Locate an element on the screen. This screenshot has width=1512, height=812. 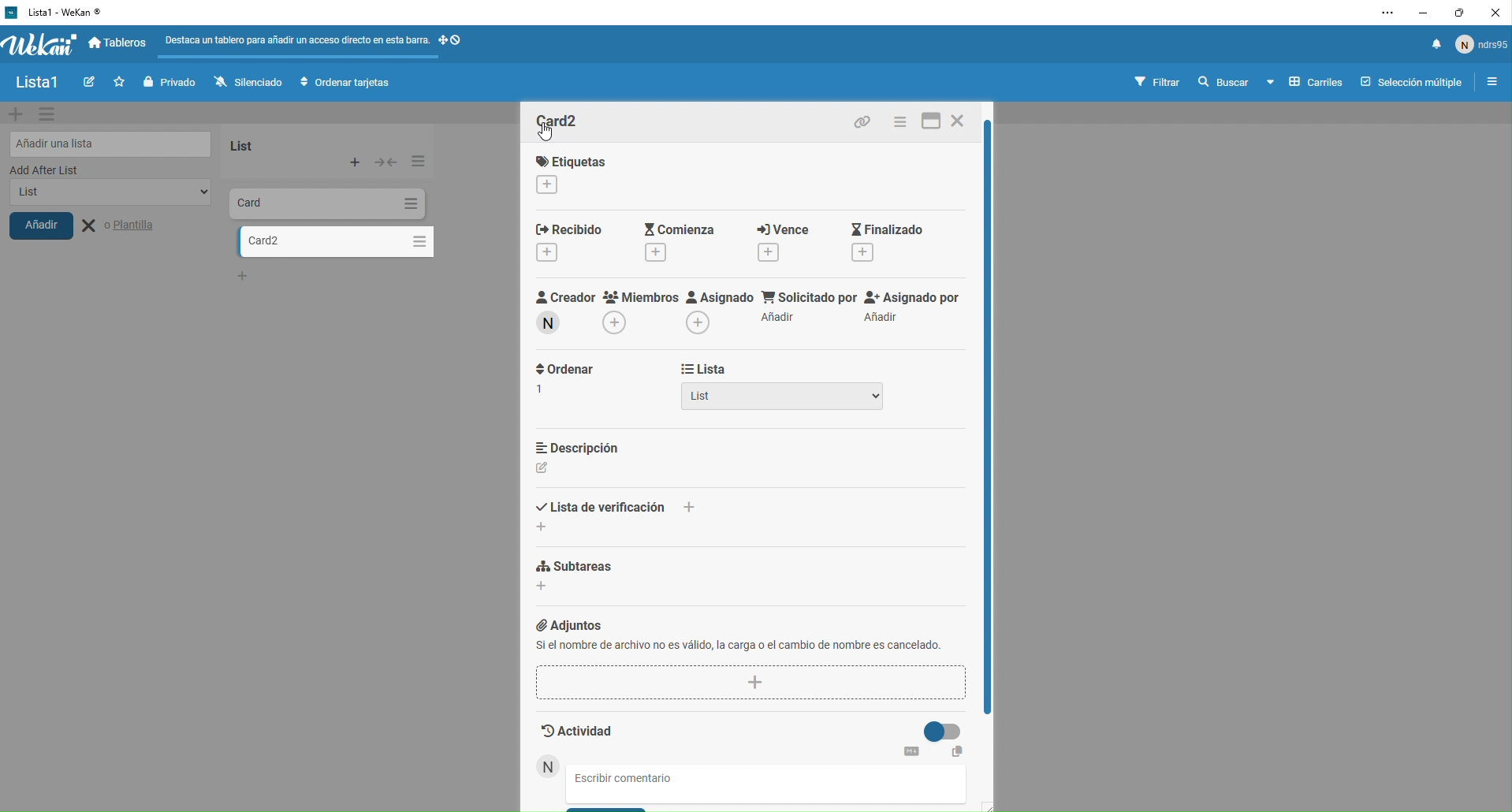
close is located at coordinates (1496, 12).